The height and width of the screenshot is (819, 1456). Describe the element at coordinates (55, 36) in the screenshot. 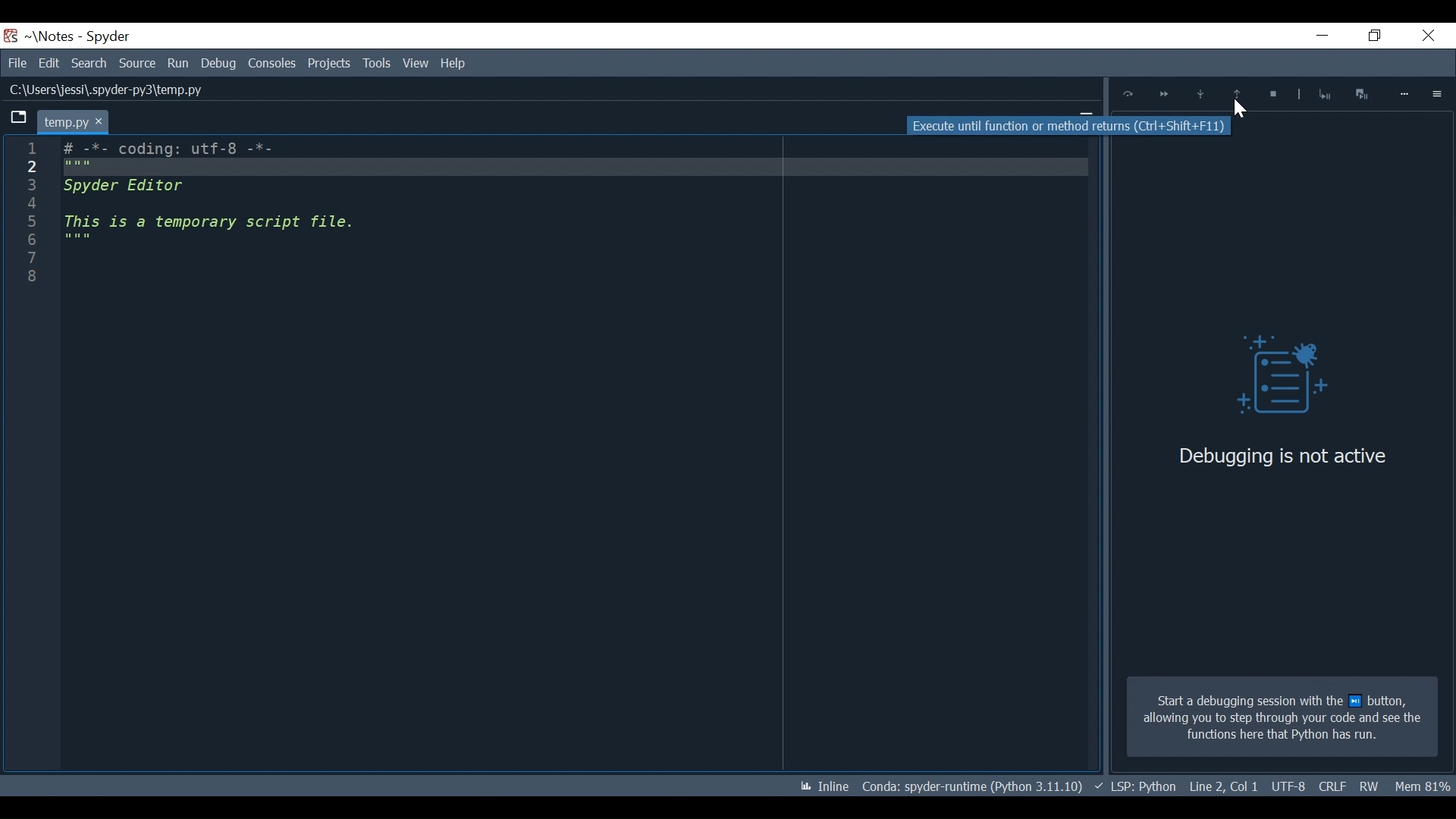

I see `Projects Name` at that location.